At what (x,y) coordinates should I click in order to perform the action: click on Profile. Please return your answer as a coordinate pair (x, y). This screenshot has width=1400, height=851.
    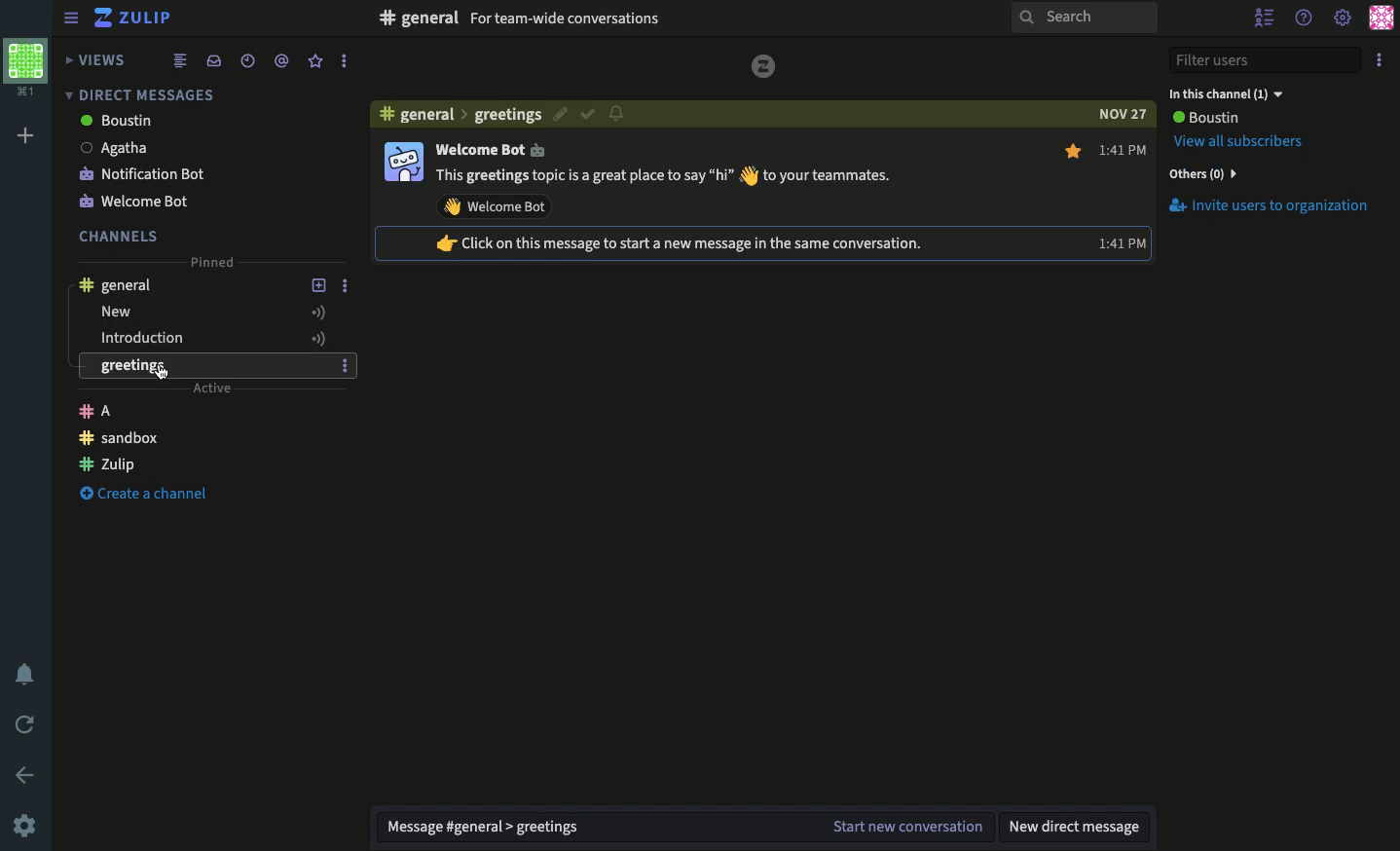
    Looking at the image, I should click on (24, 65).